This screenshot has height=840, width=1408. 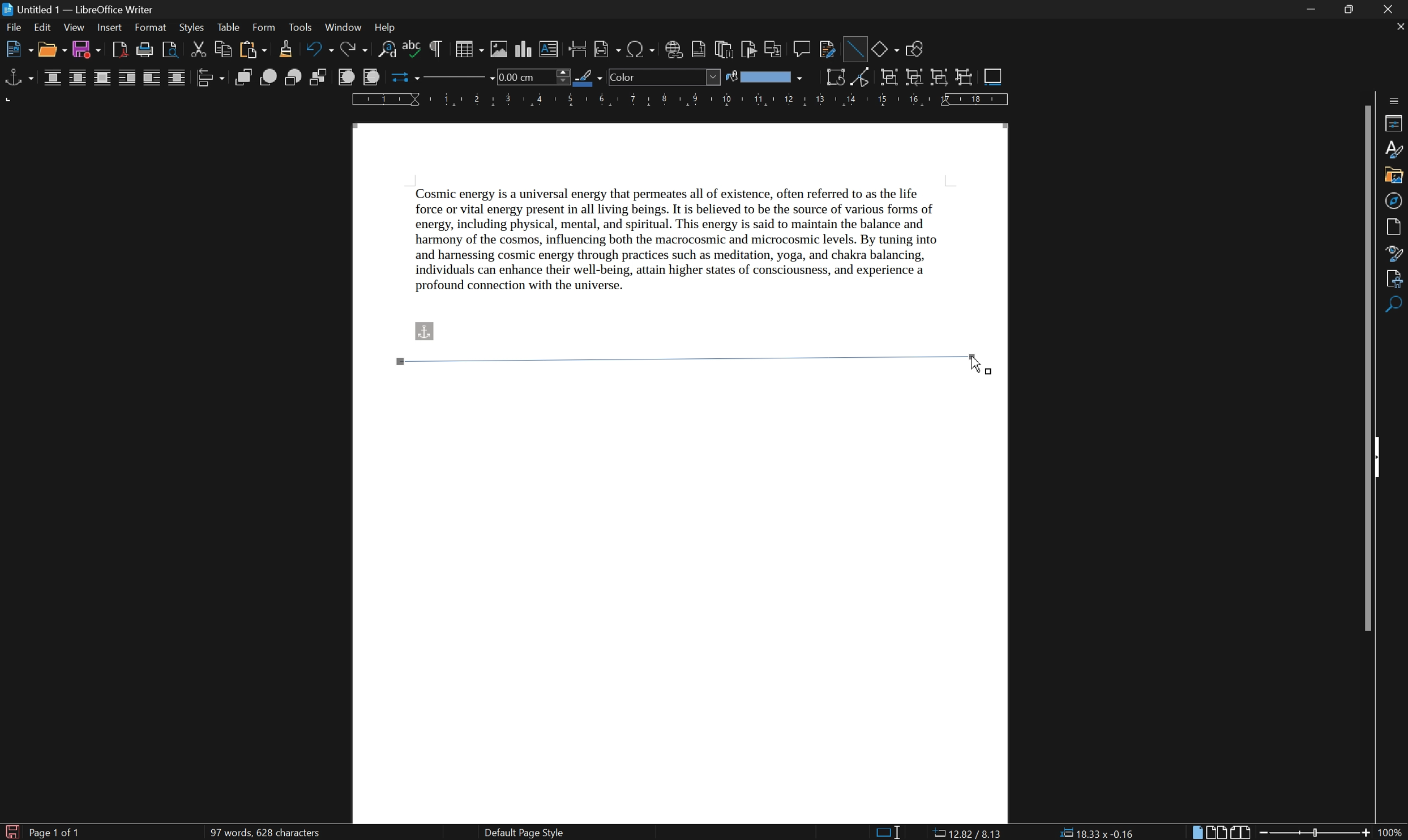 I want to click on redo, so click(x=357, y=50).